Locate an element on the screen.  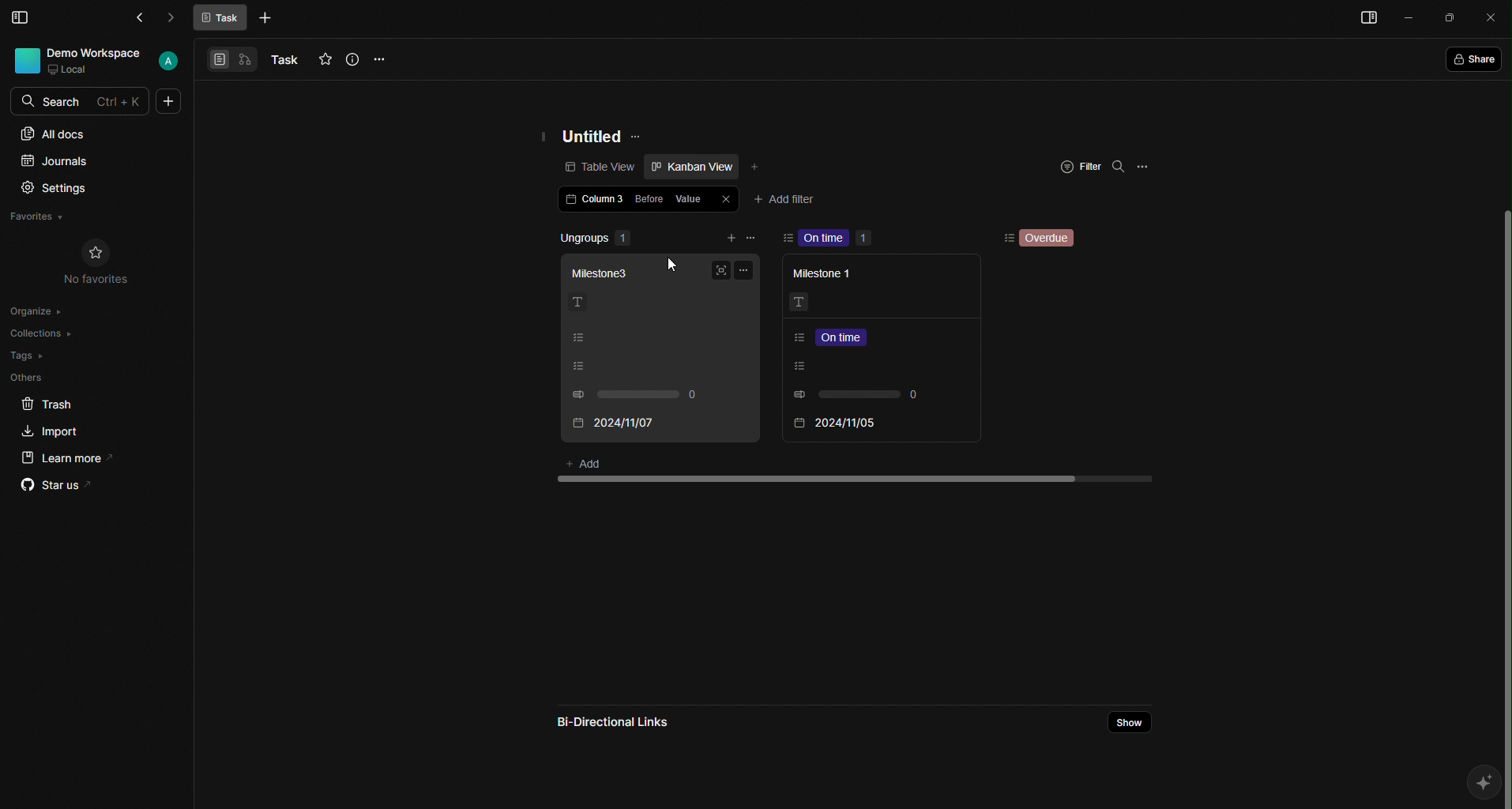
Sorting is located at coordinates (1006, 238).